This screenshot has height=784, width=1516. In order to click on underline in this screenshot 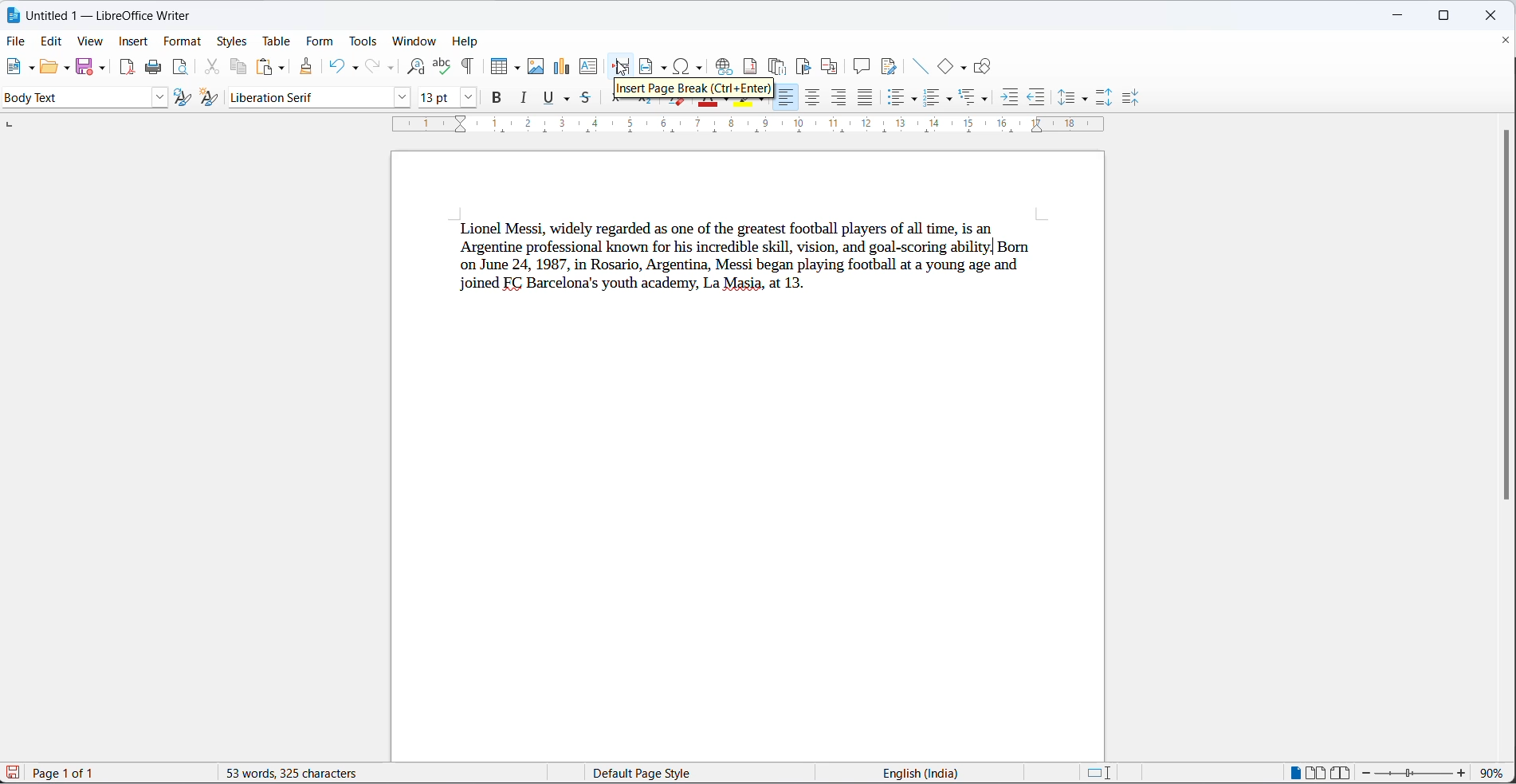, I will do `click(549, 99)`.